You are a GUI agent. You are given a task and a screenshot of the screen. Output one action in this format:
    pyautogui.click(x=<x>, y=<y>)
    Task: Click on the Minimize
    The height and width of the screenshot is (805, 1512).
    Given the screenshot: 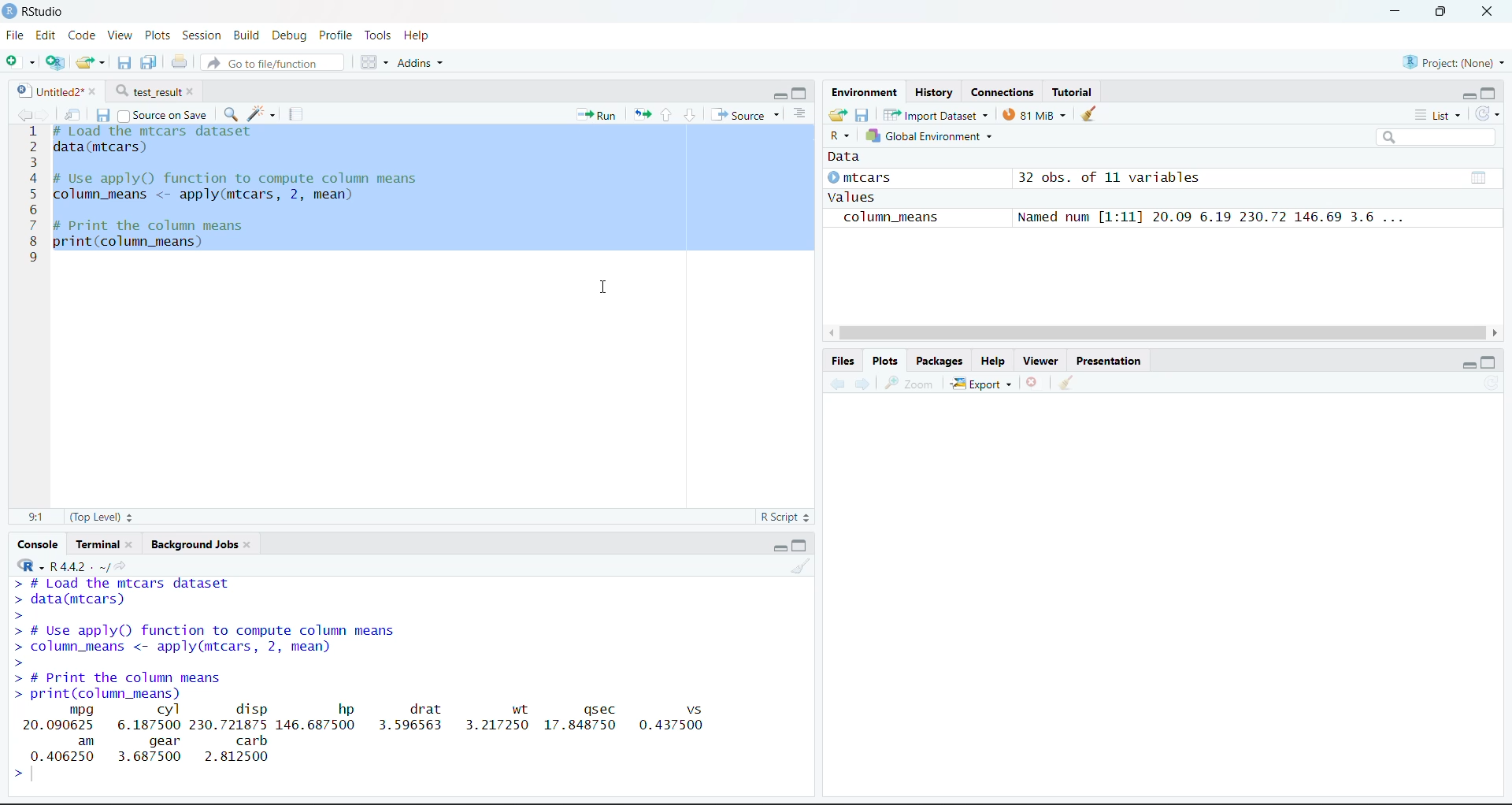 What is the action you would take?
    pyautogui.click(x=776, y=547)
    